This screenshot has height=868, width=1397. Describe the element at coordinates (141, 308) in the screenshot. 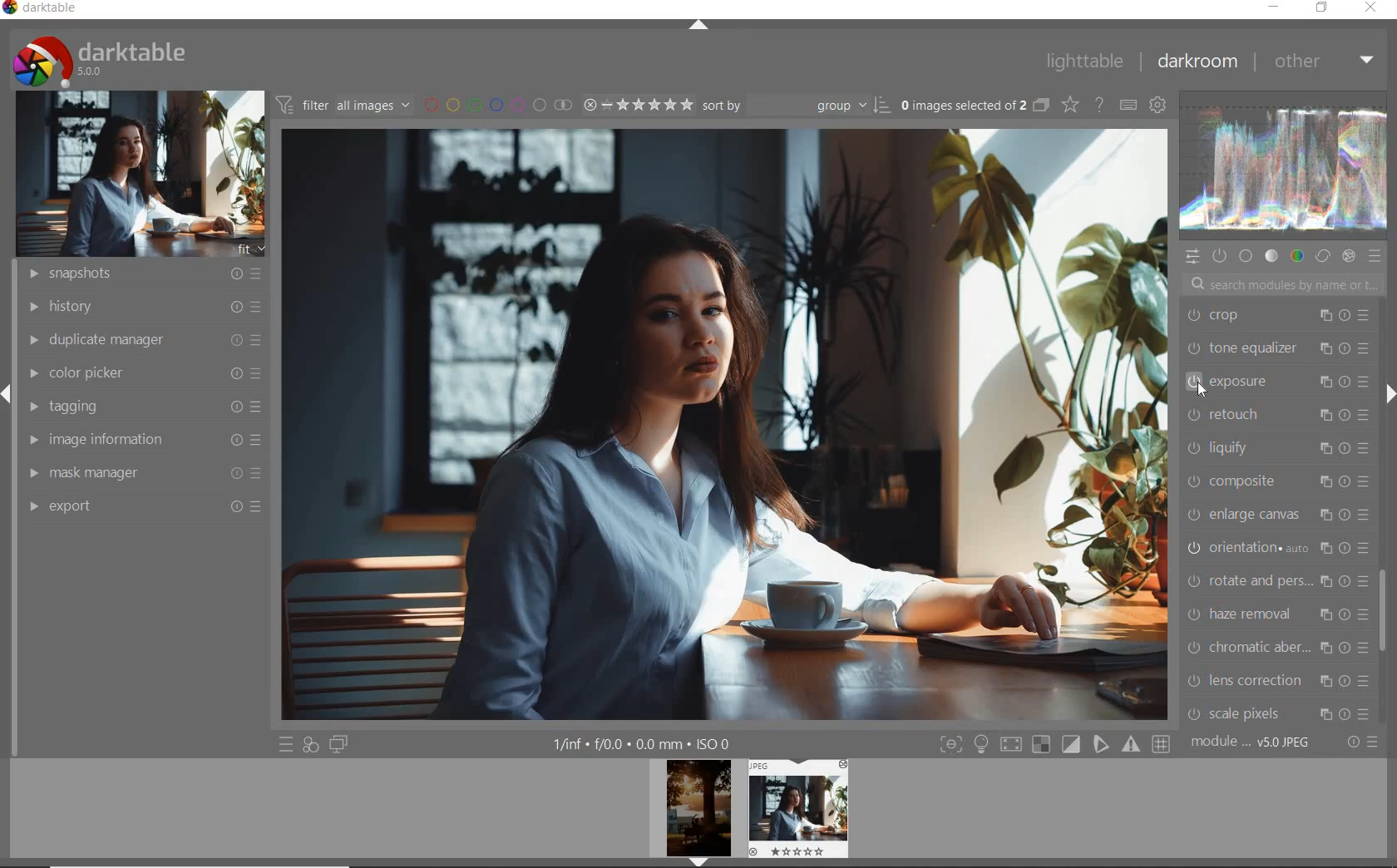

I see `HISTORY` at that location.